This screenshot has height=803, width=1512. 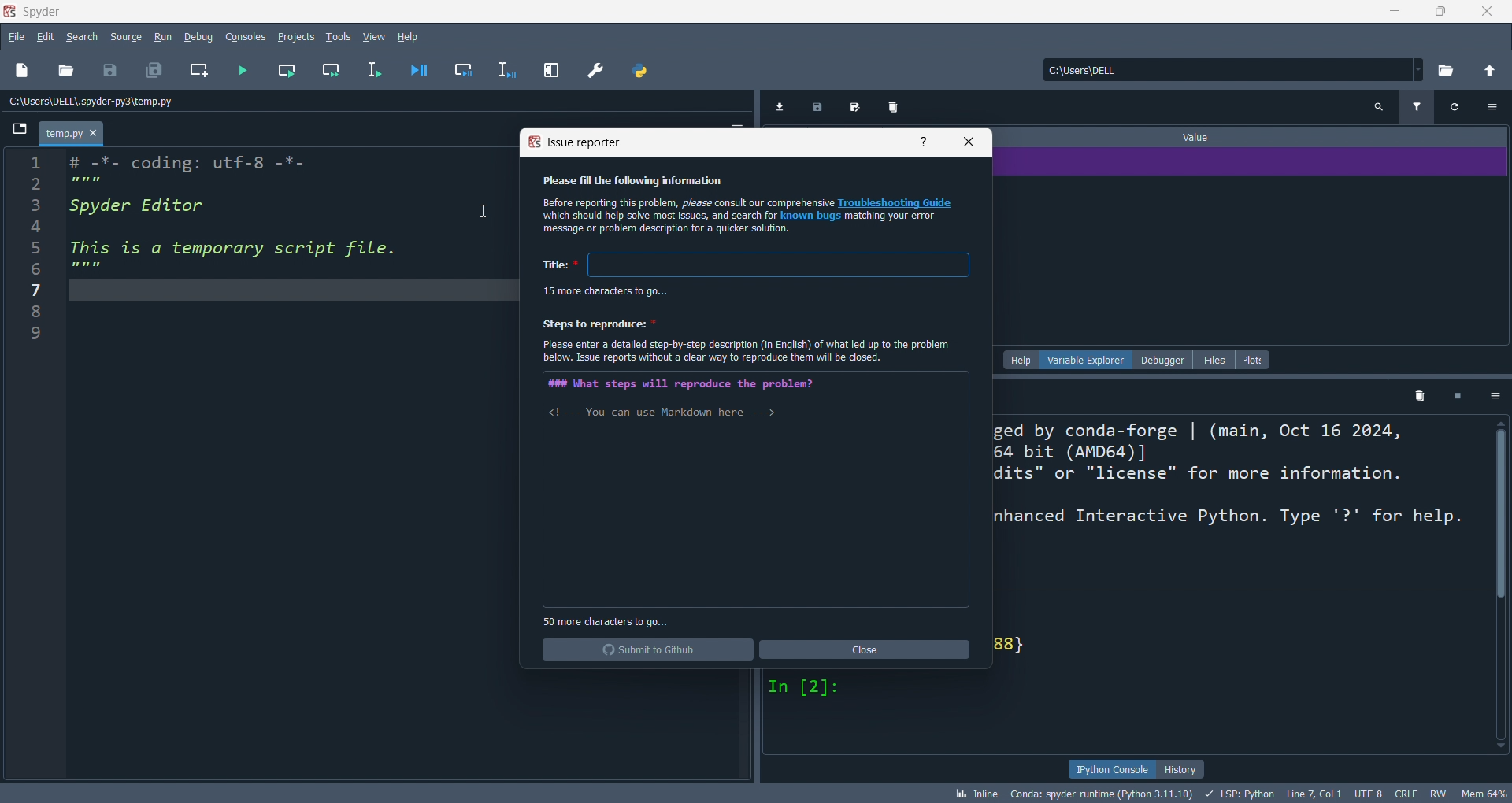 What do you see at coordinates (1490, 72) in the screenshot?
I see `open parent direct` at bounding box center [1490, 72].